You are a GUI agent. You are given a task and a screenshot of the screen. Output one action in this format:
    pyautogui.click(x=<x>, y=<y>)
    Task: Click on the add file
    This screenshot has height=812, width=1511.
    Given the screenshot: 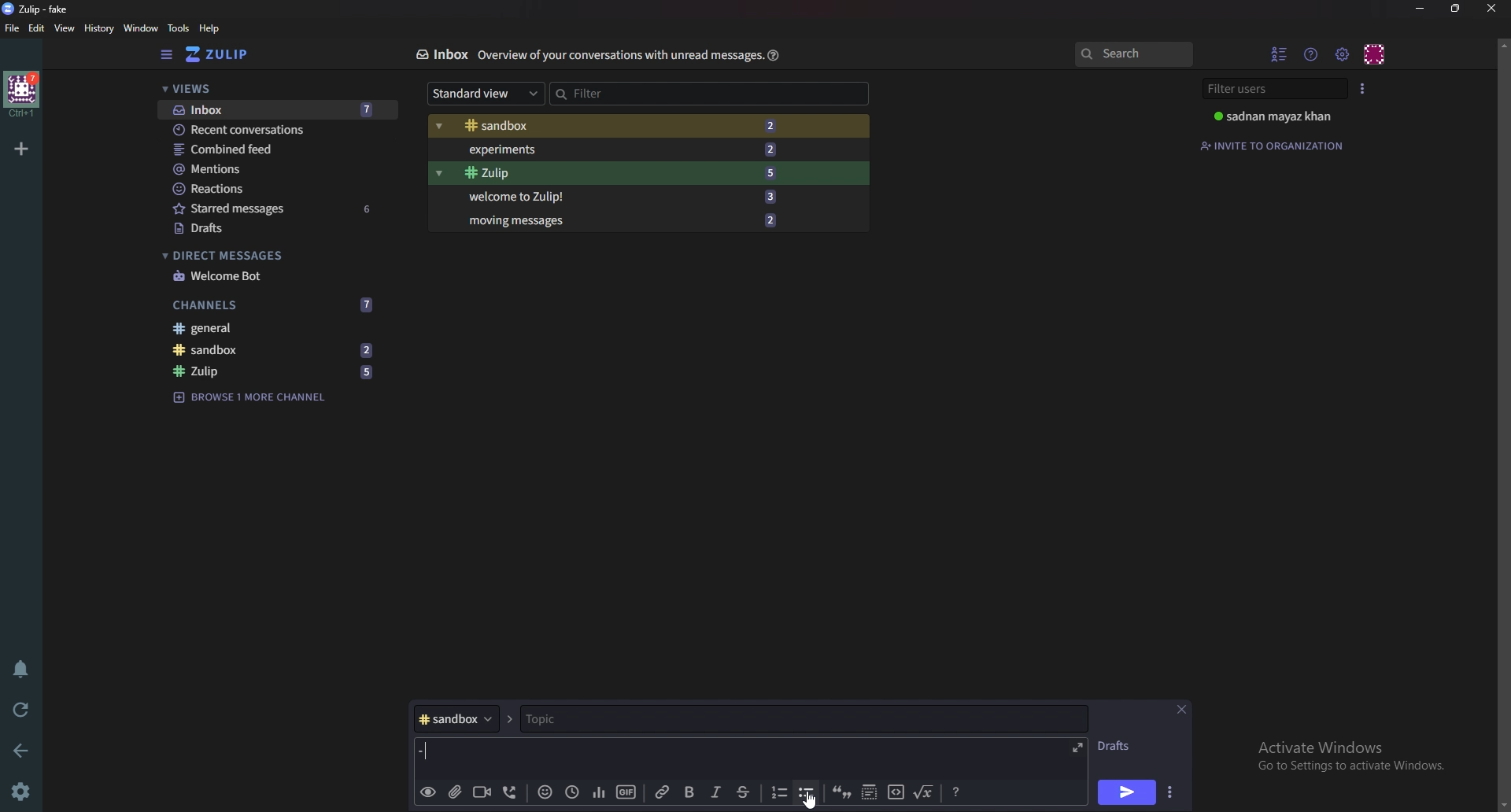 What is the action you would take?
    pyautogui.click(x=453, y=792)
    